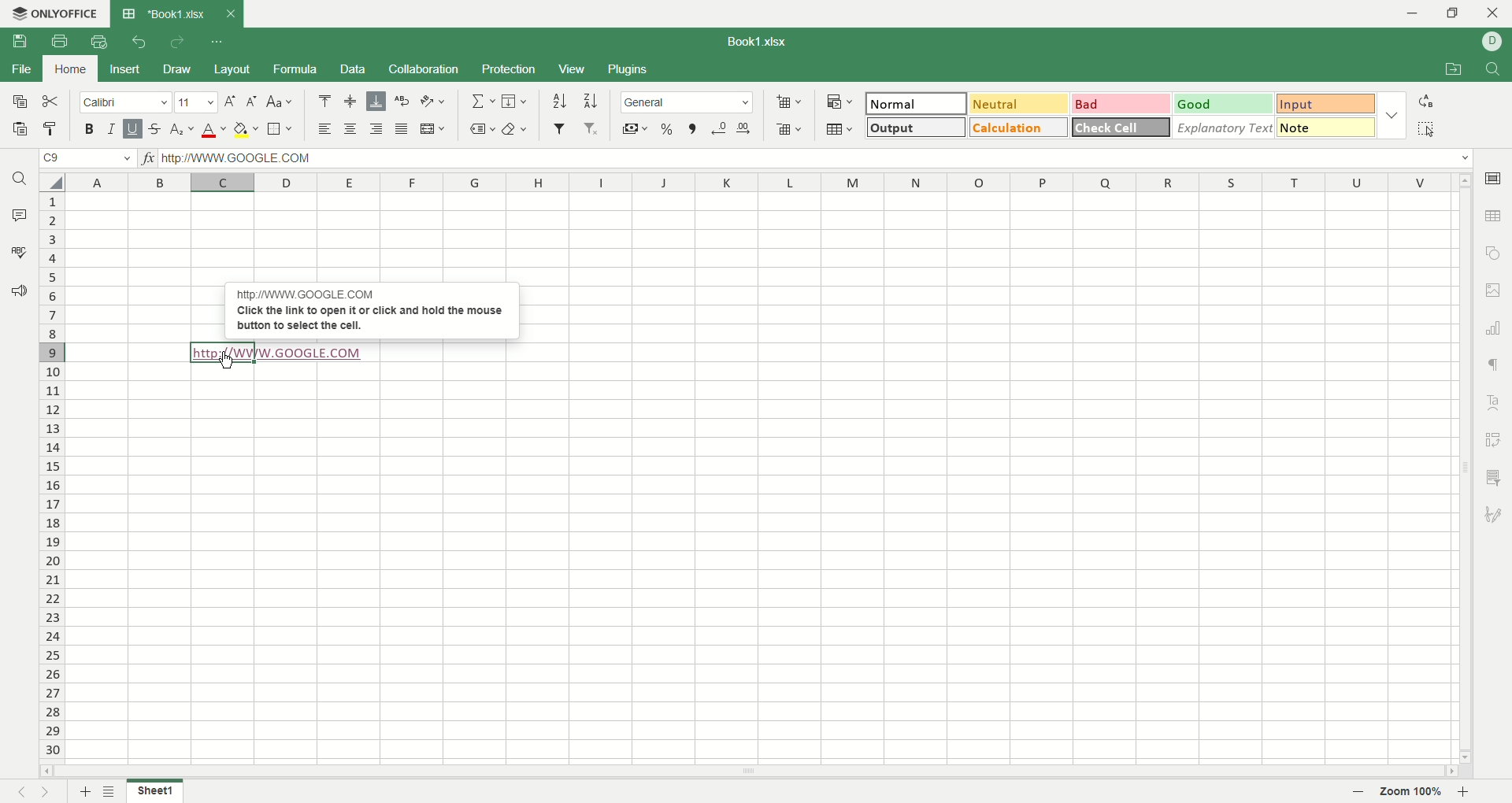 Image resolution: width=1512 pixels, height=803 pixels. Describe the element at coordinates (19, 177) in the screenshot. I see `find` at that location.